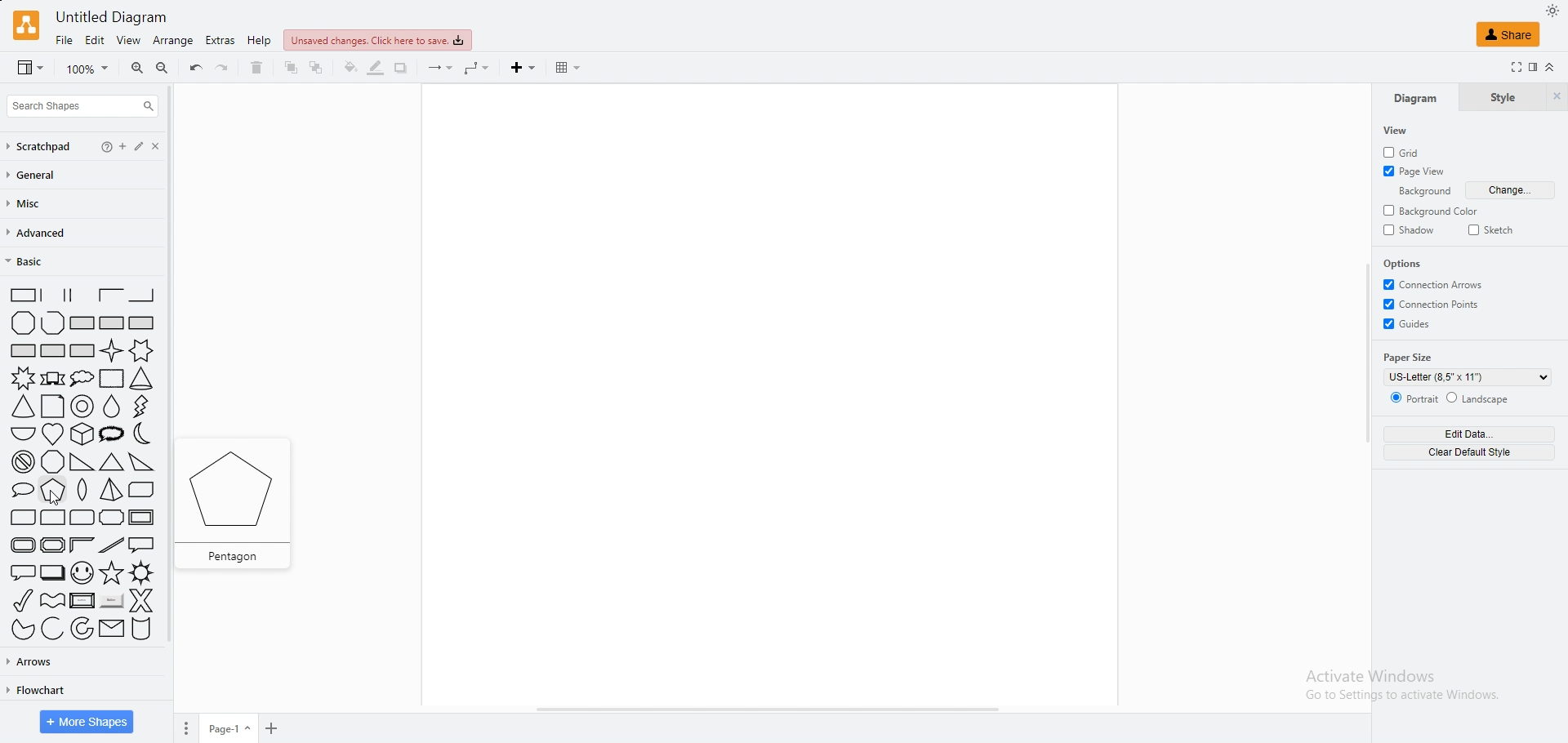 This screenshot has height=743, width=1568. What do you see at coordinates (33, 661) in the screenshot?
I see `arrows` at bounding box center [33, 661].